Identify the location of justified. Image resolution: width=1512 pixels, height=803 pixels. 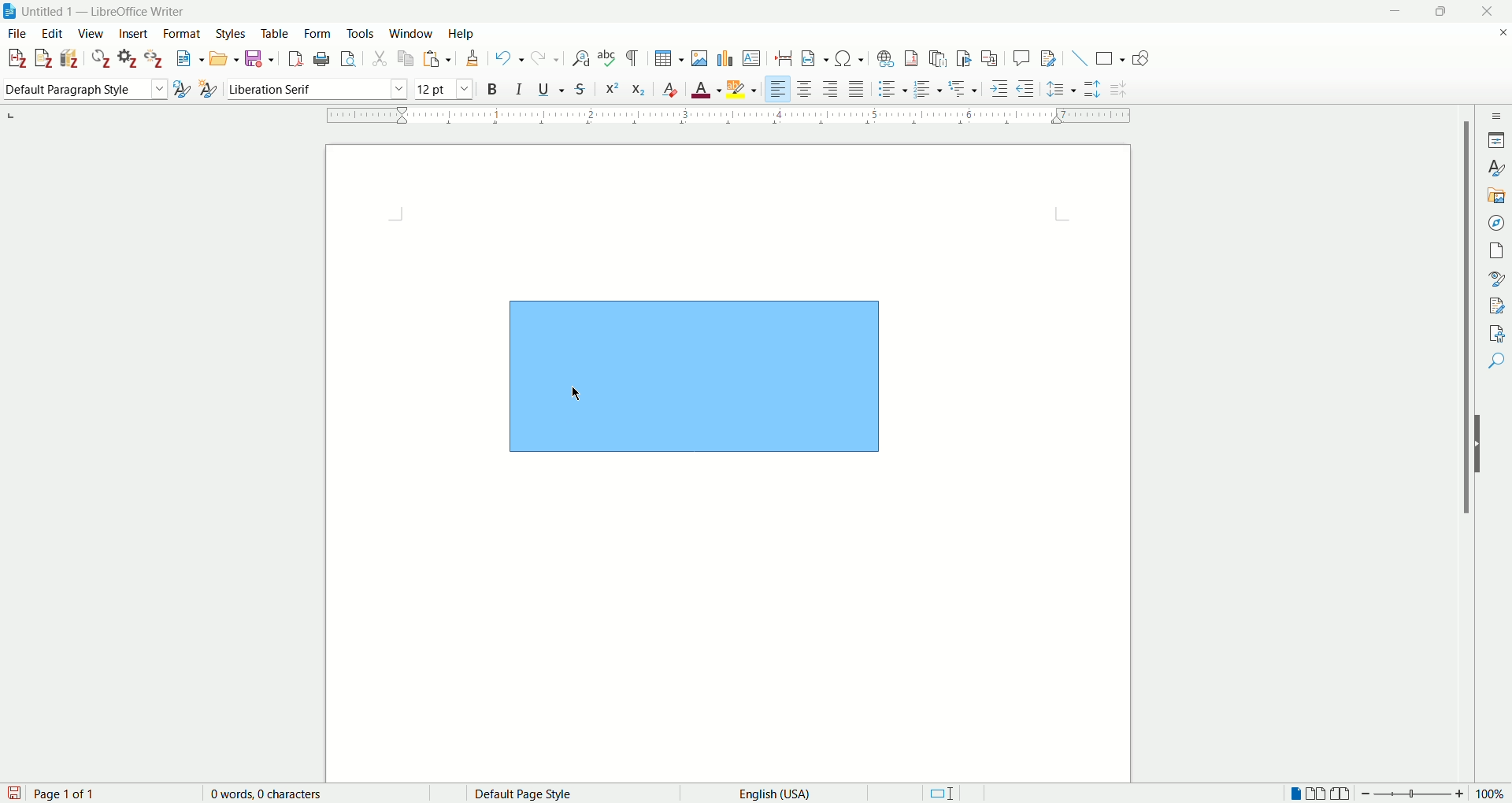
(856, 87).